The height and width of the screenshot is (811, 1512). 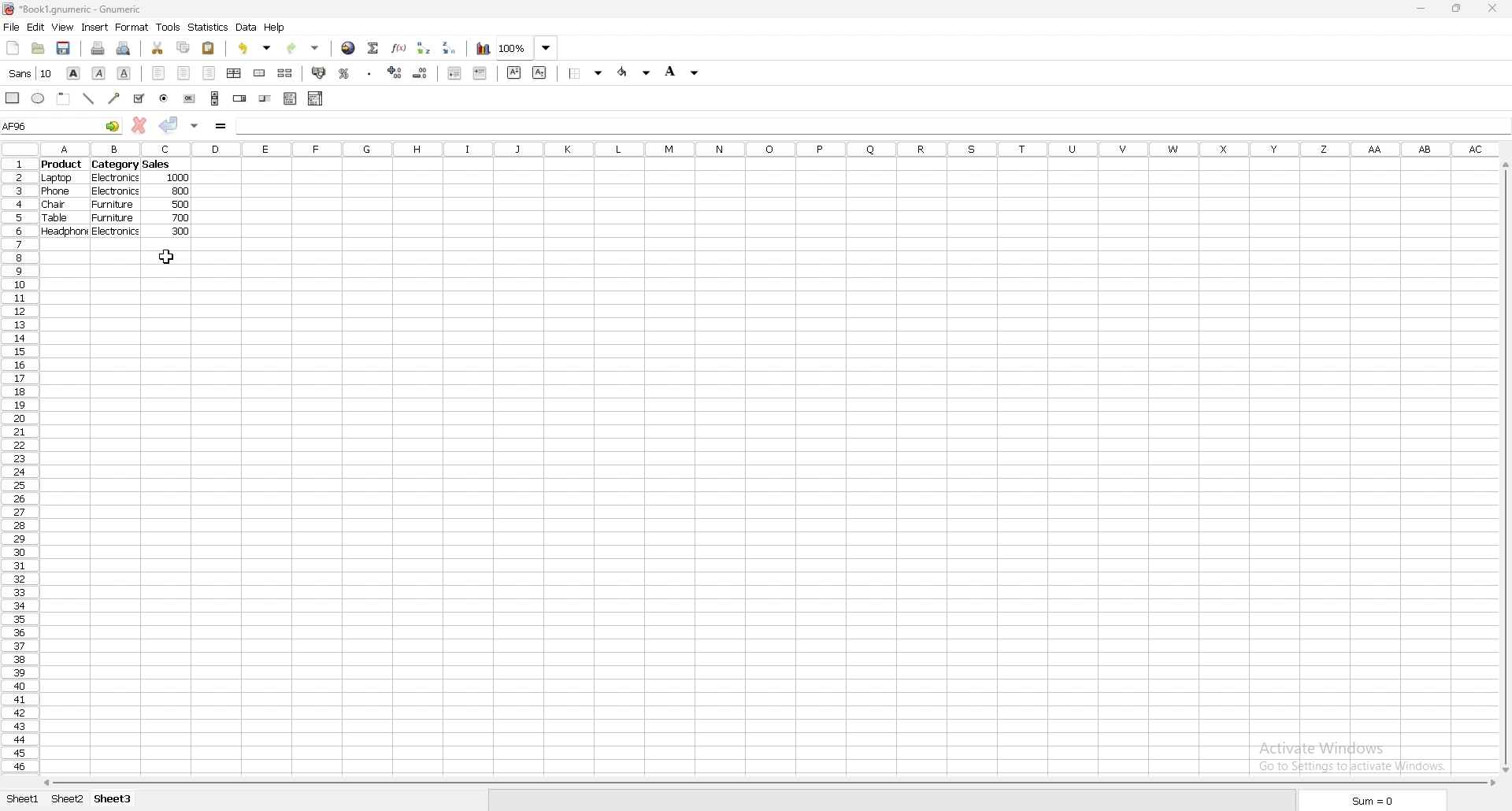 I want to click on category, so click(x=116, y=164).